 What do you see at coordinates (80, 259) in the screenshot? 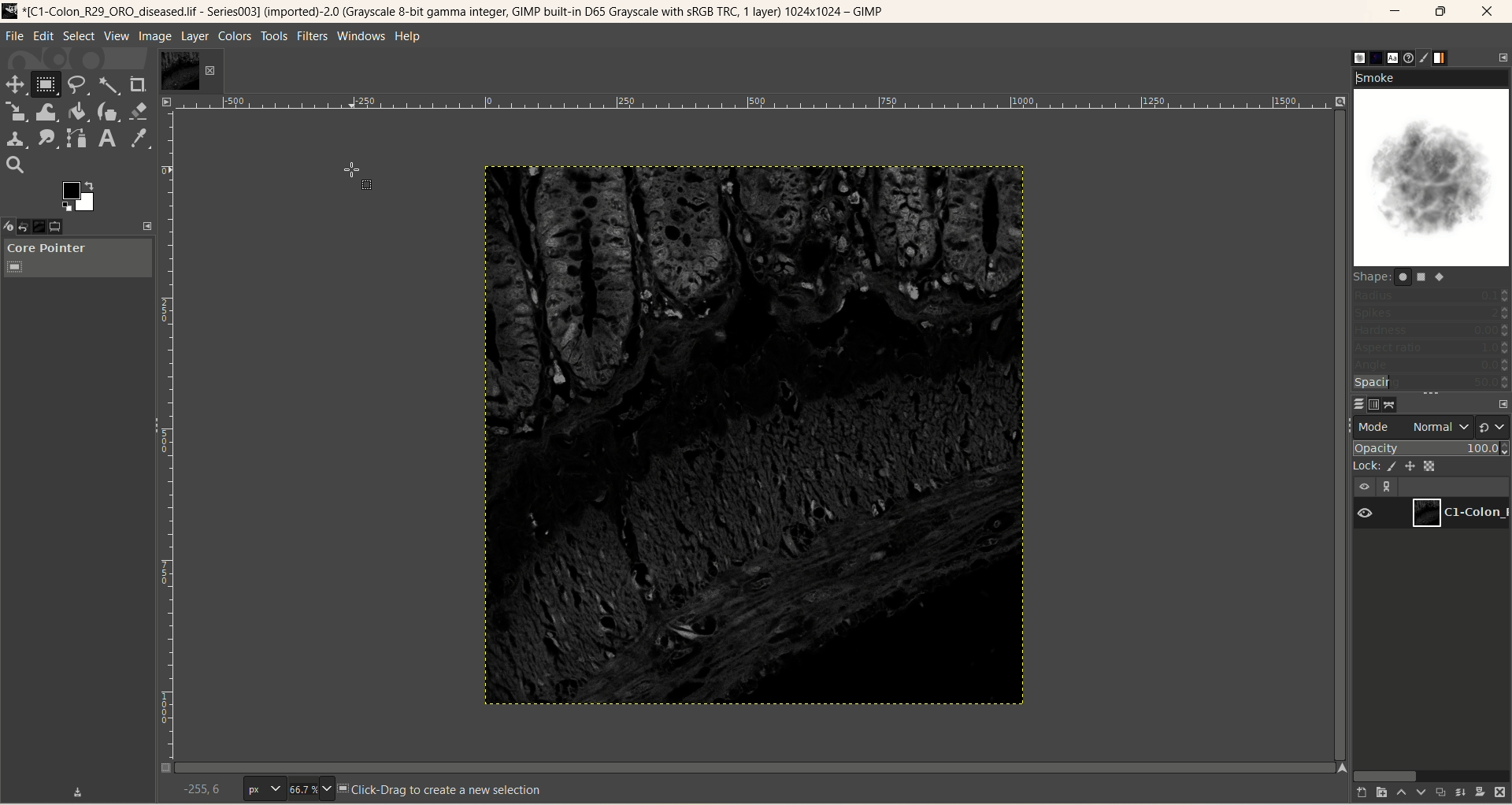
I see `core pointer` at bounding box center [80, 259].